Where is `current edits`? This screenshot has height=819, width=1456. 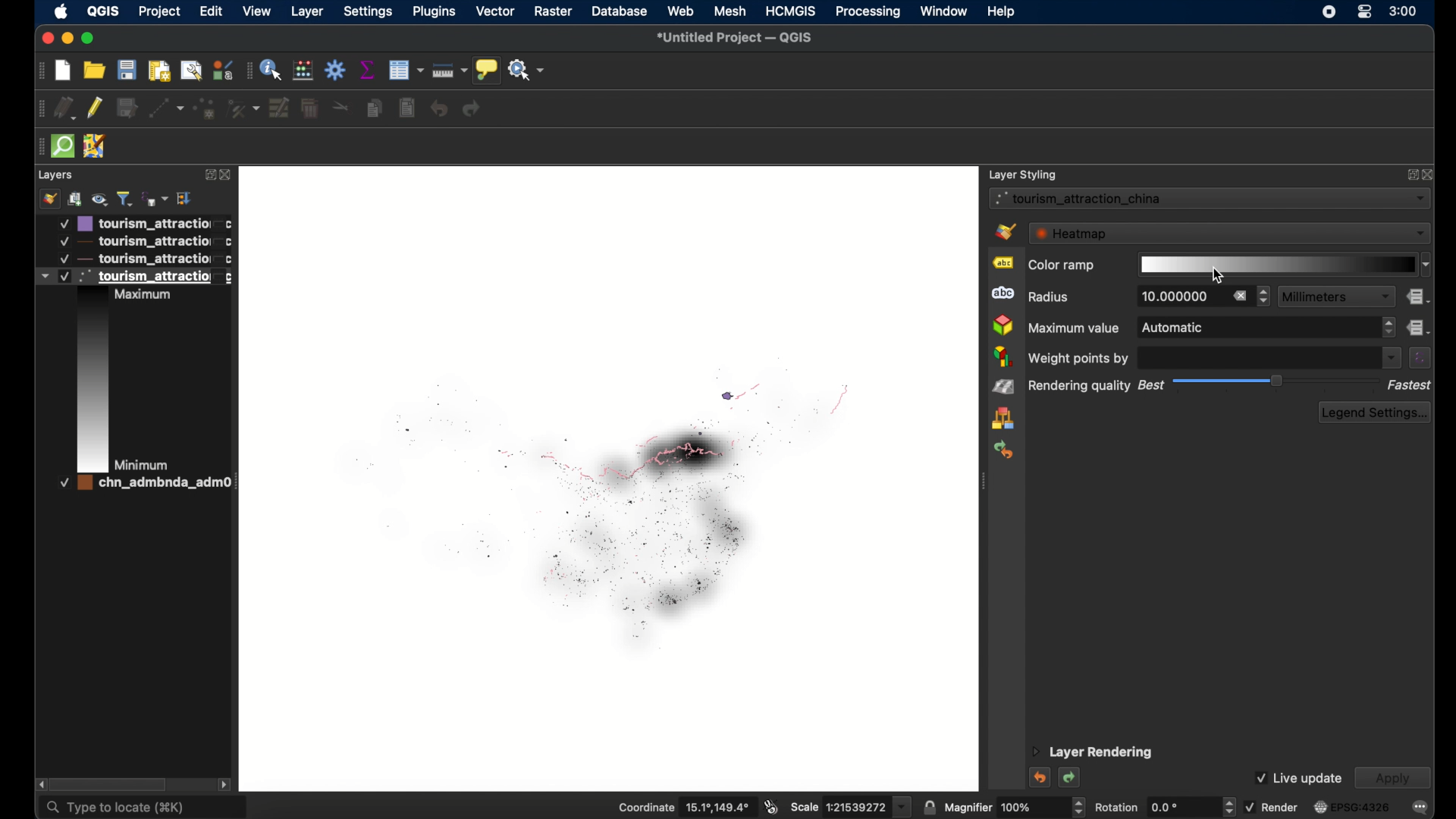
current edits is located at coordinates (65, 108).